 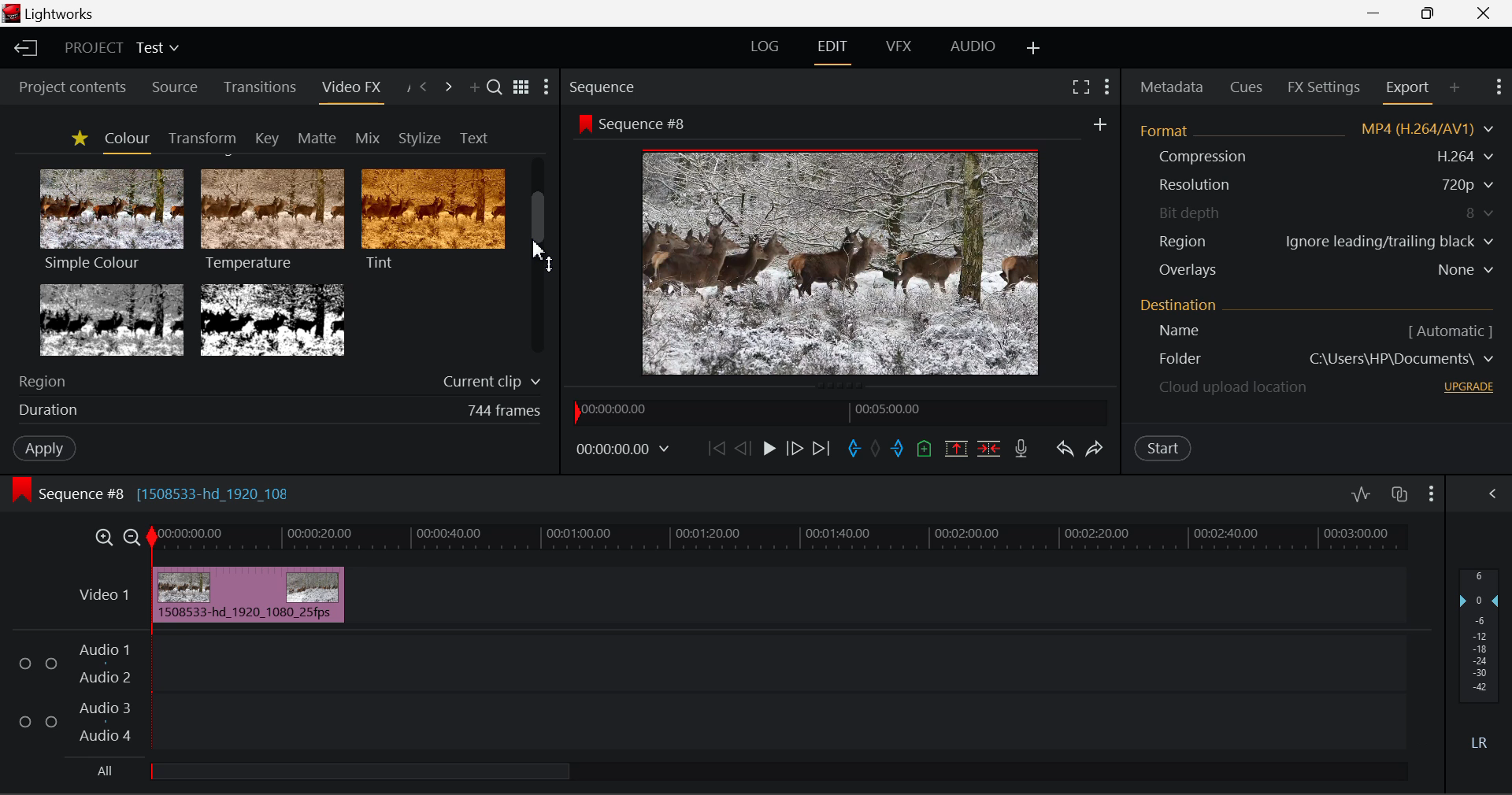 What do you see at coordinates (26, 662) in the screenshot?
I see `Checkbox` at bounding box center [26, 662].